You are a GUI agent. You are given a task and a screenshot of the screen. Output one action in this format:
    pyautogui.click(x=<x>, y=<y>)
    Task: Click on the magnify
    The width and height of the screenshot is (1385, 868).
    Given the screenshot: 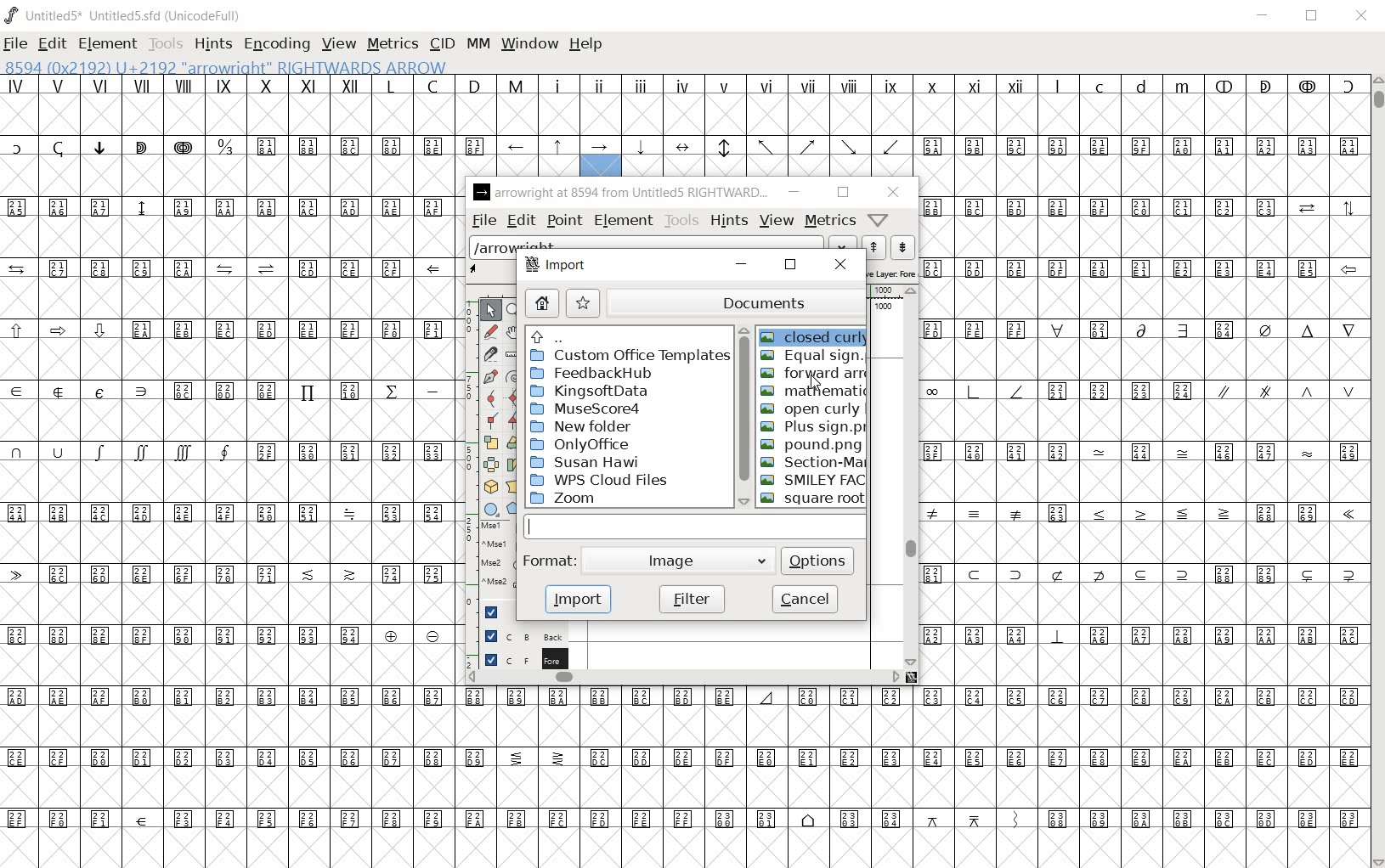 What is the action you would take?
    pyautogui.click(x=517, y=311)
    